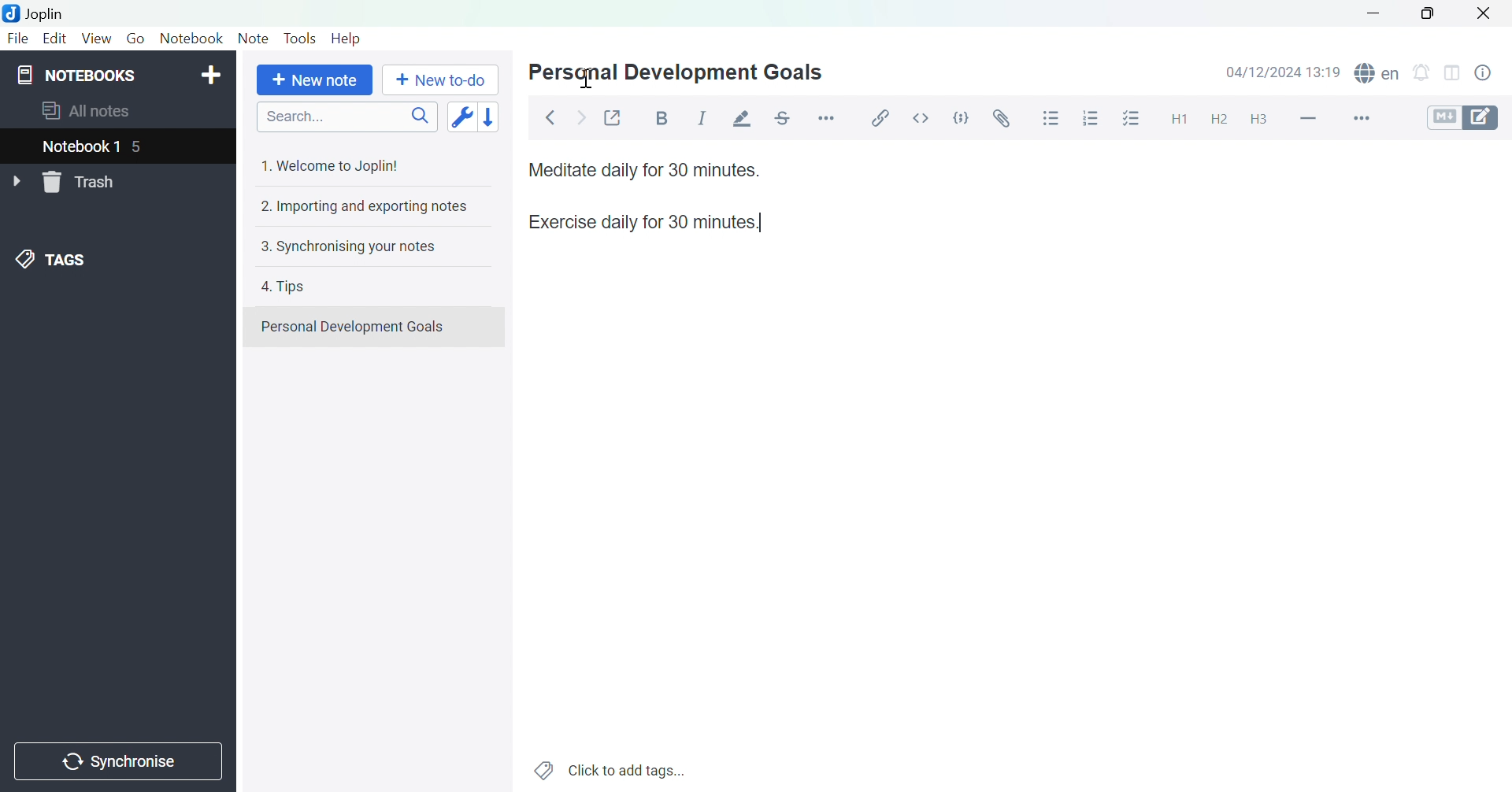 This screenshot has height=792, width=1512. What do you see at coordinates (786, 115) in the screenshot?
I see `Strikethrough` at bounding box center [786, 115].